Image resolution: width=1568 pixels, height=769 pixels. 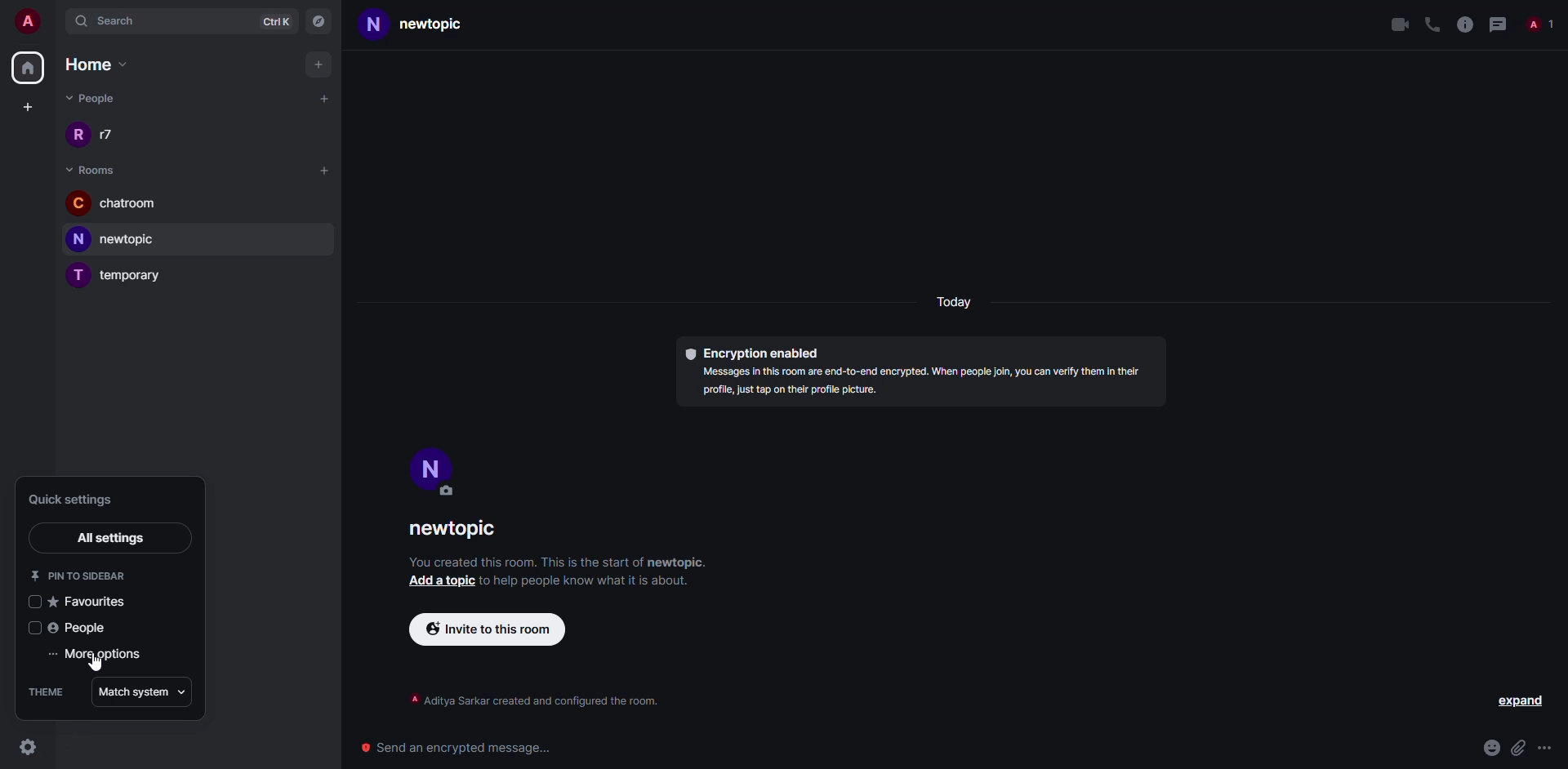 I want to click on room, so click(x=126, y=204).